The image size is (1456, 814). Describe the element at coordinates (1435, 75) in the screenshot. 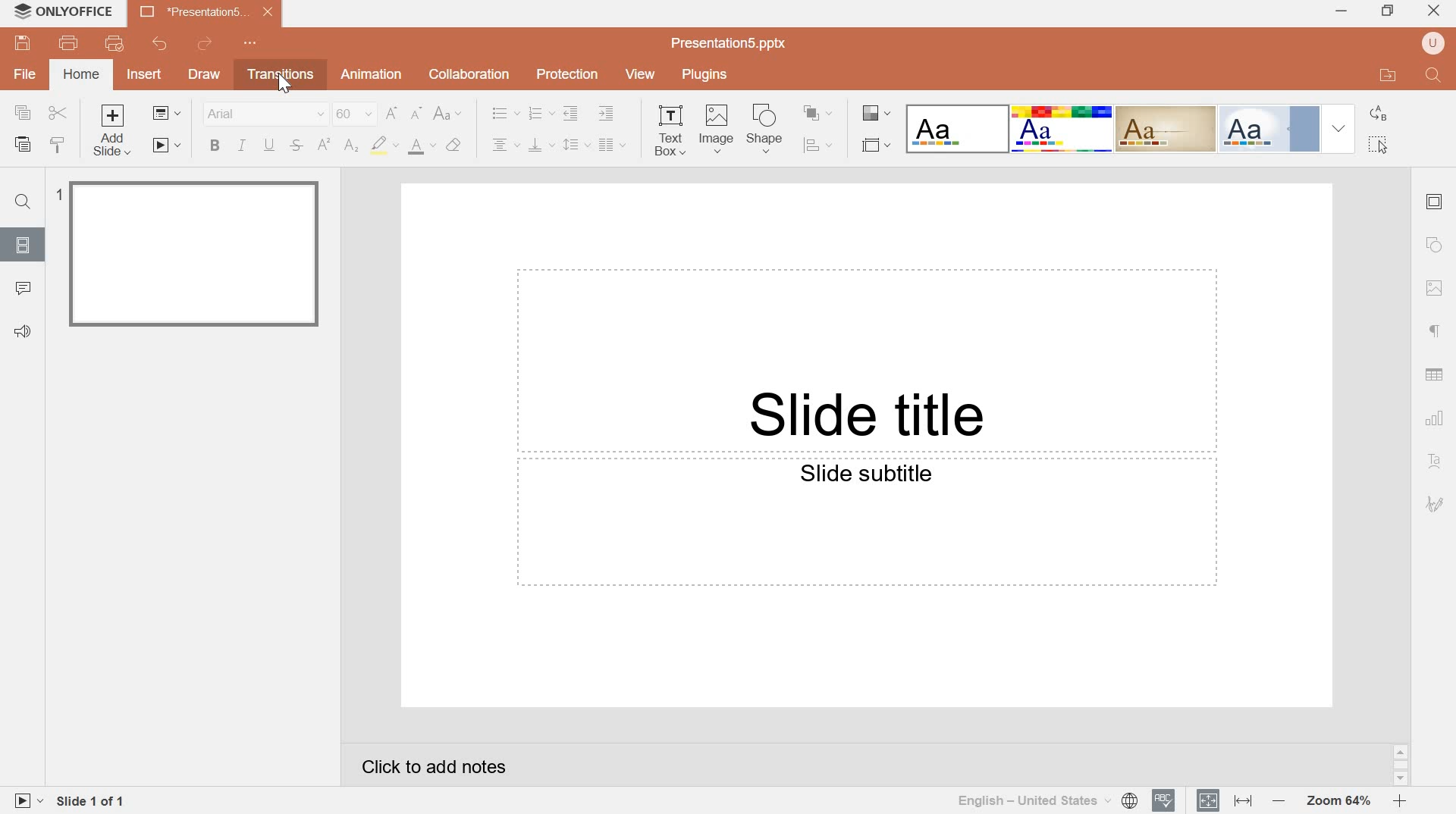

I see `Find` at that location.